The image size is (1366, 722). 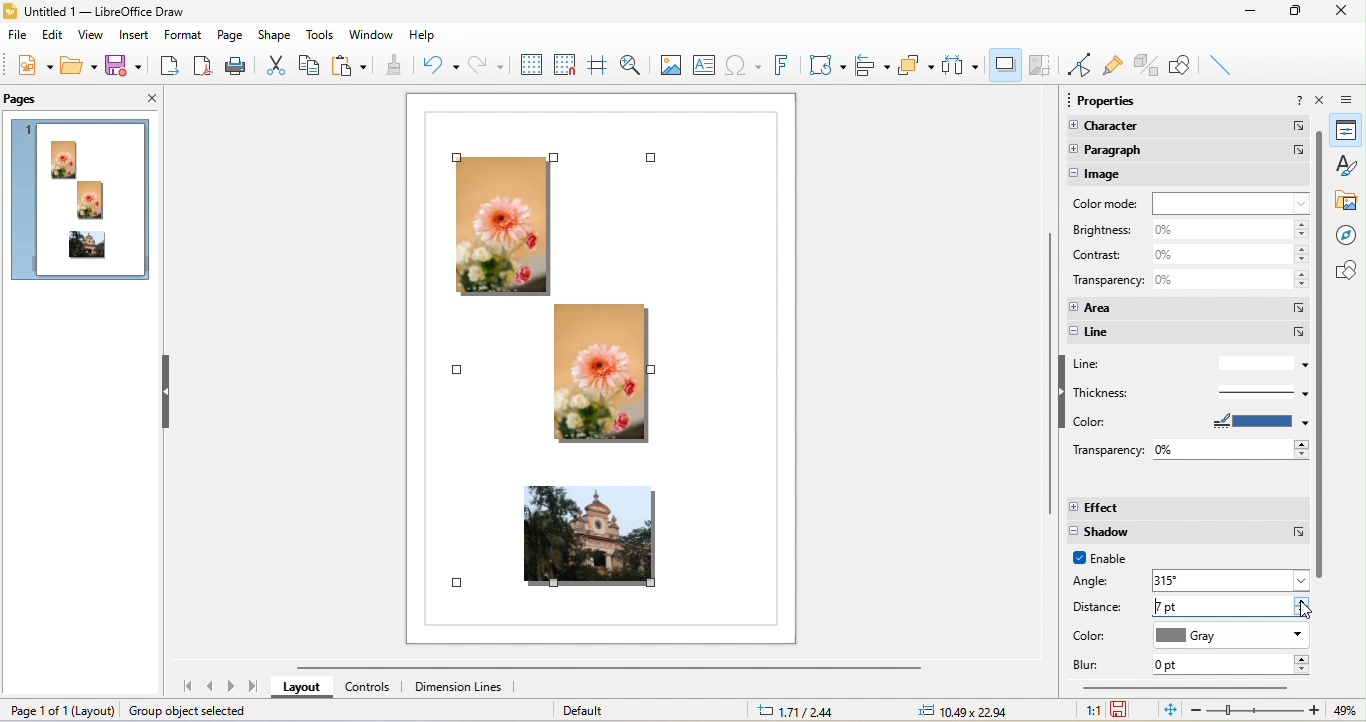 What do you see at coordinates (826, 63) in the screenshot?
I see `transformation` at bounding box center [826, 63].